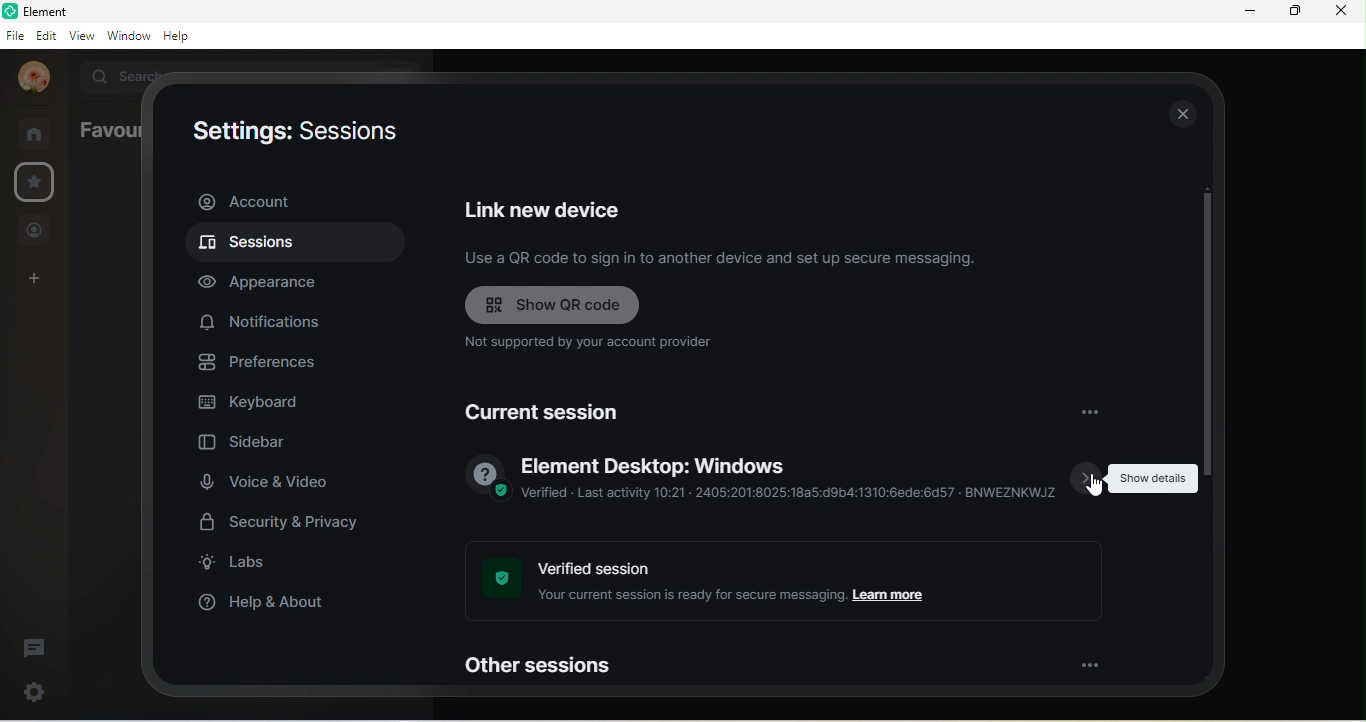 The width and height of the screenshot is (1366, 722). I want to click on options, so click(1091, 414).